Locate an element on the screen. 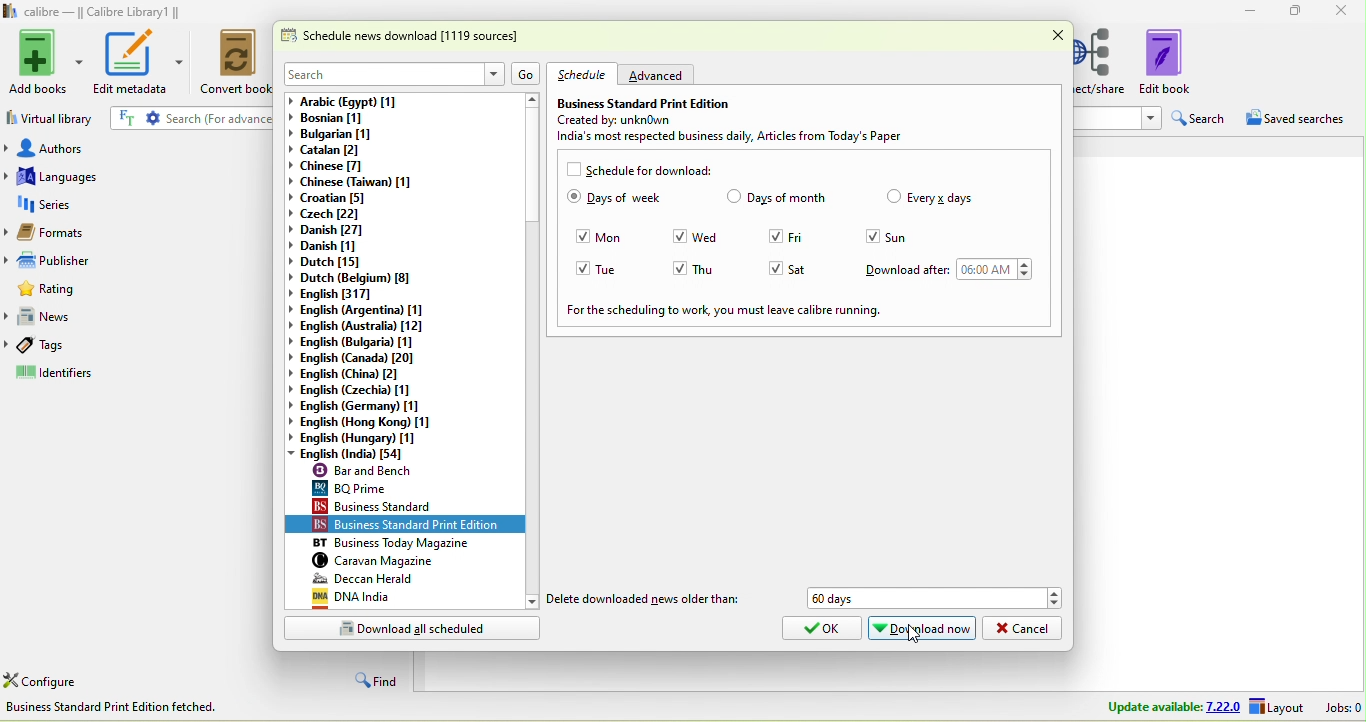  Checkbox is located at coordinates (680, 236).